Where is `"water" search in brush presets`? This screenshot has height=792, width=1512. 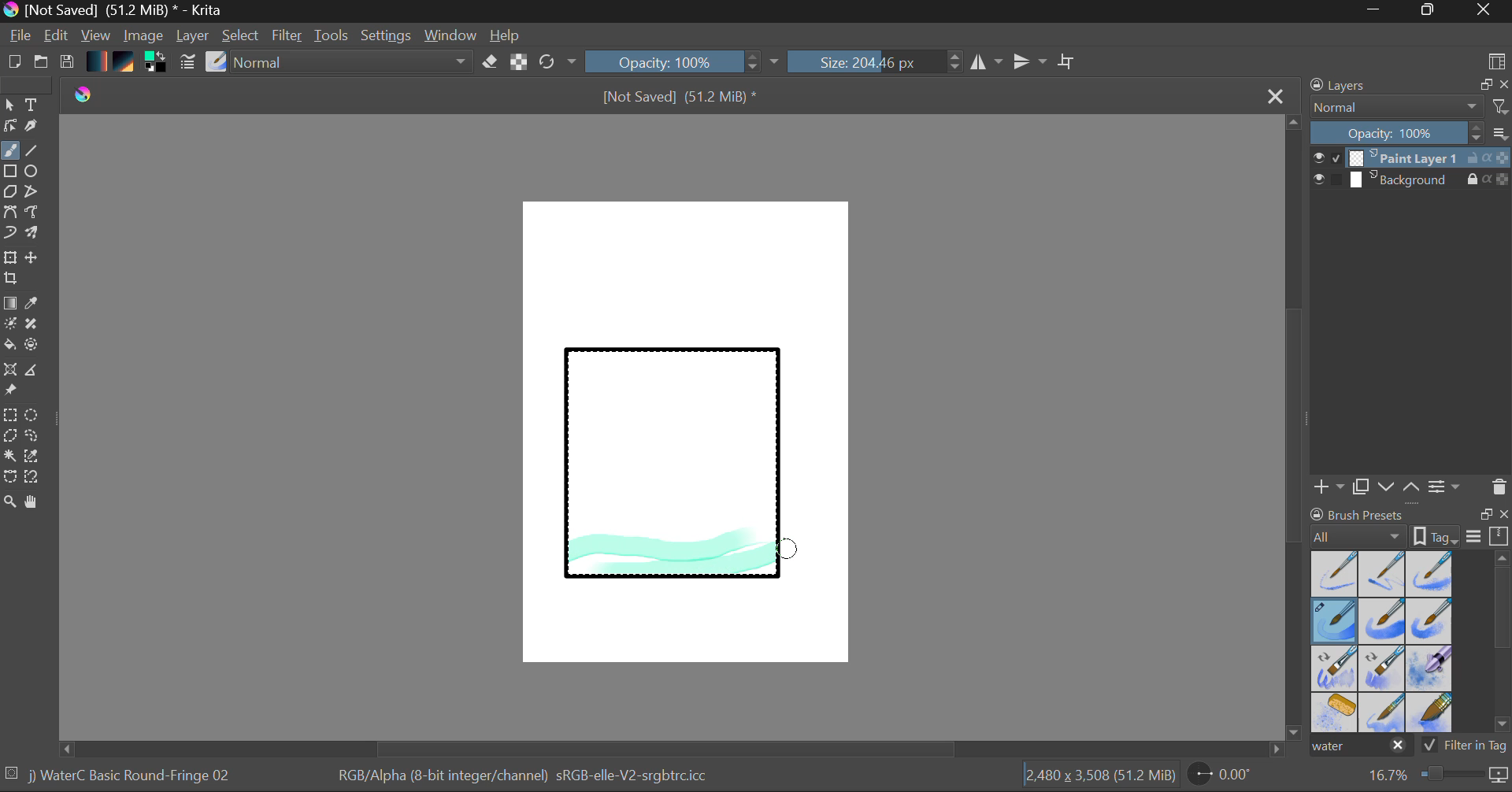
"water" search in brush presets is located at coordinates (1359, 749).